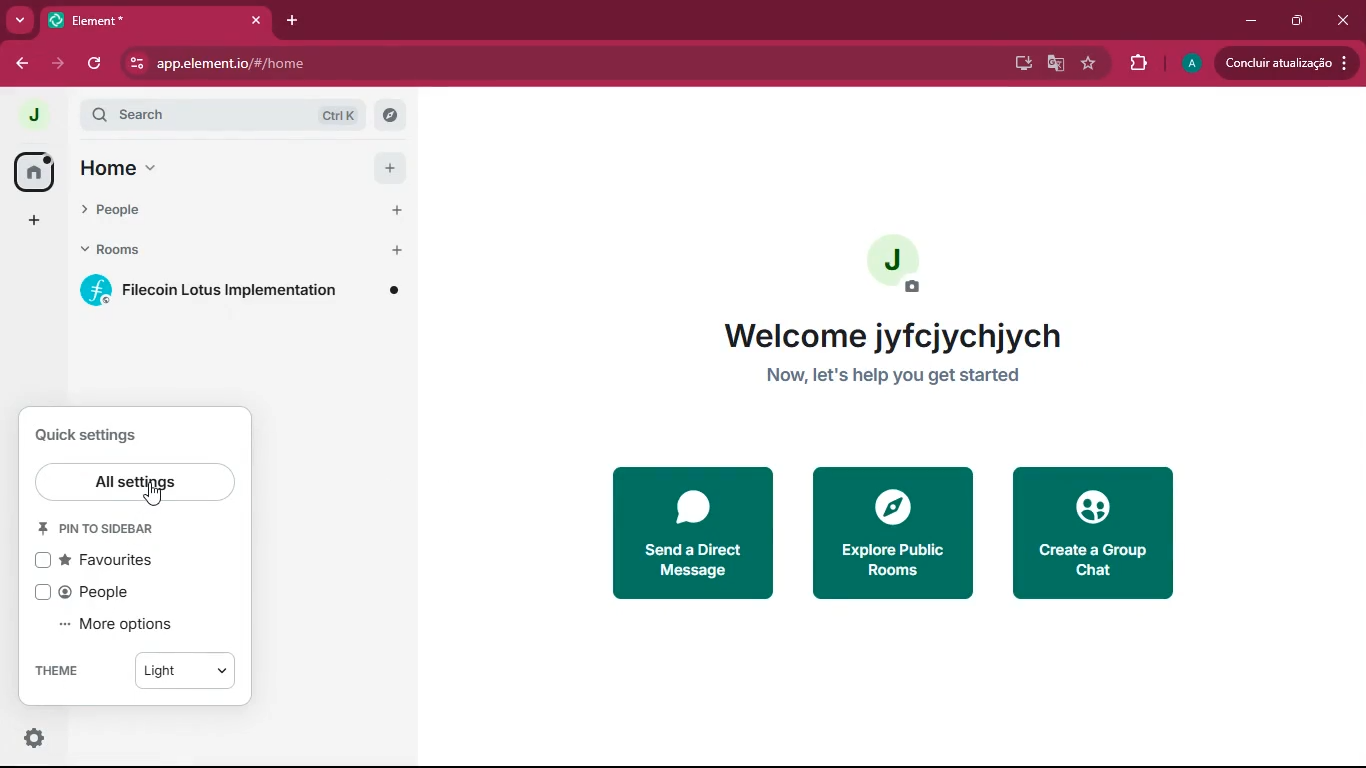 This screenshot has height=768, width=1366. What do you see at coordinates (888, 532) in the screenshot?
I see `explore` at bounding box center [888, 532].